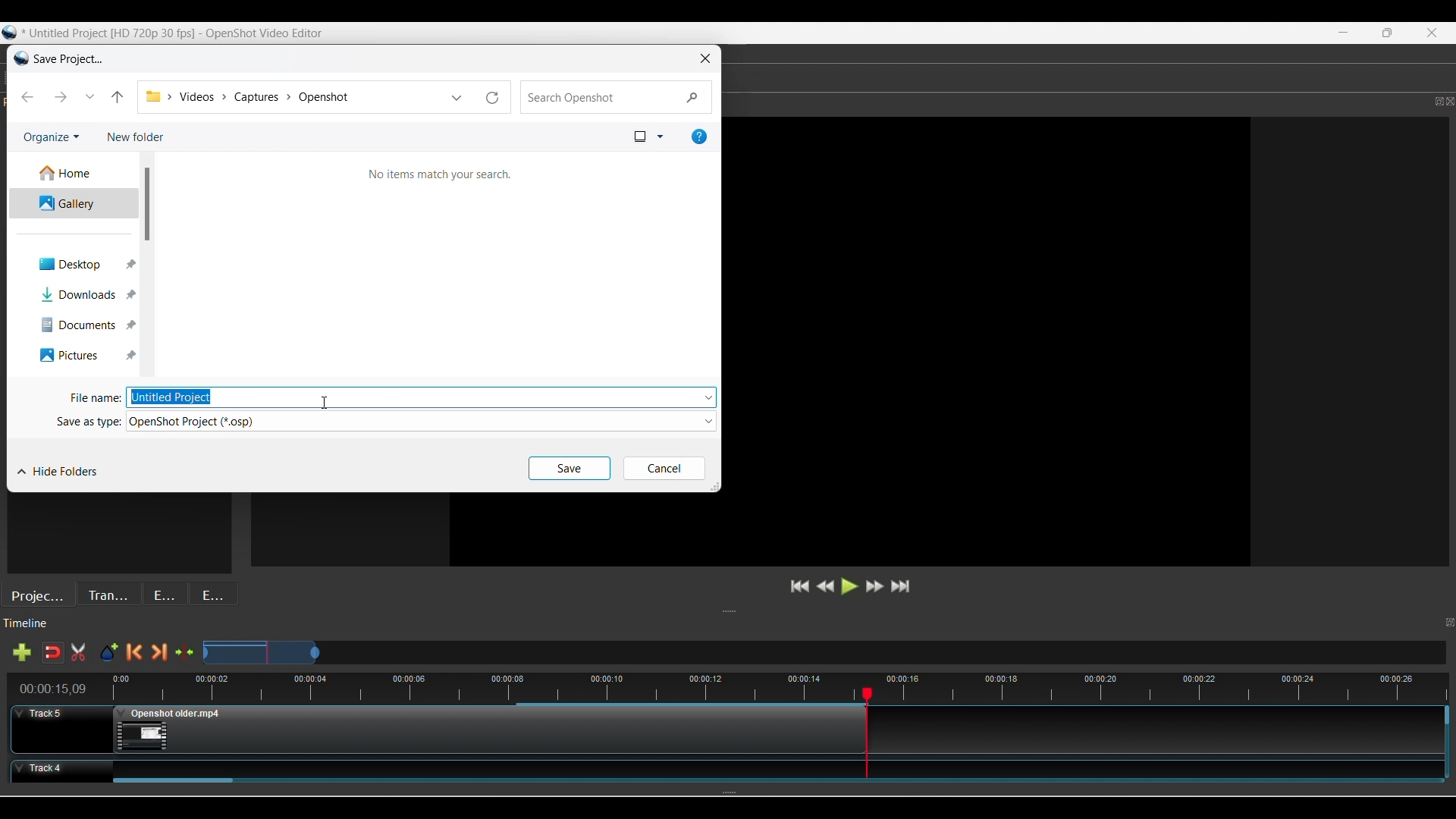 This screenshot has width=1456, height=819. What do you see at coordinates (61, 729) in the screenshot?
I see `Track Header for track 5` at bounding box center [61, 729].